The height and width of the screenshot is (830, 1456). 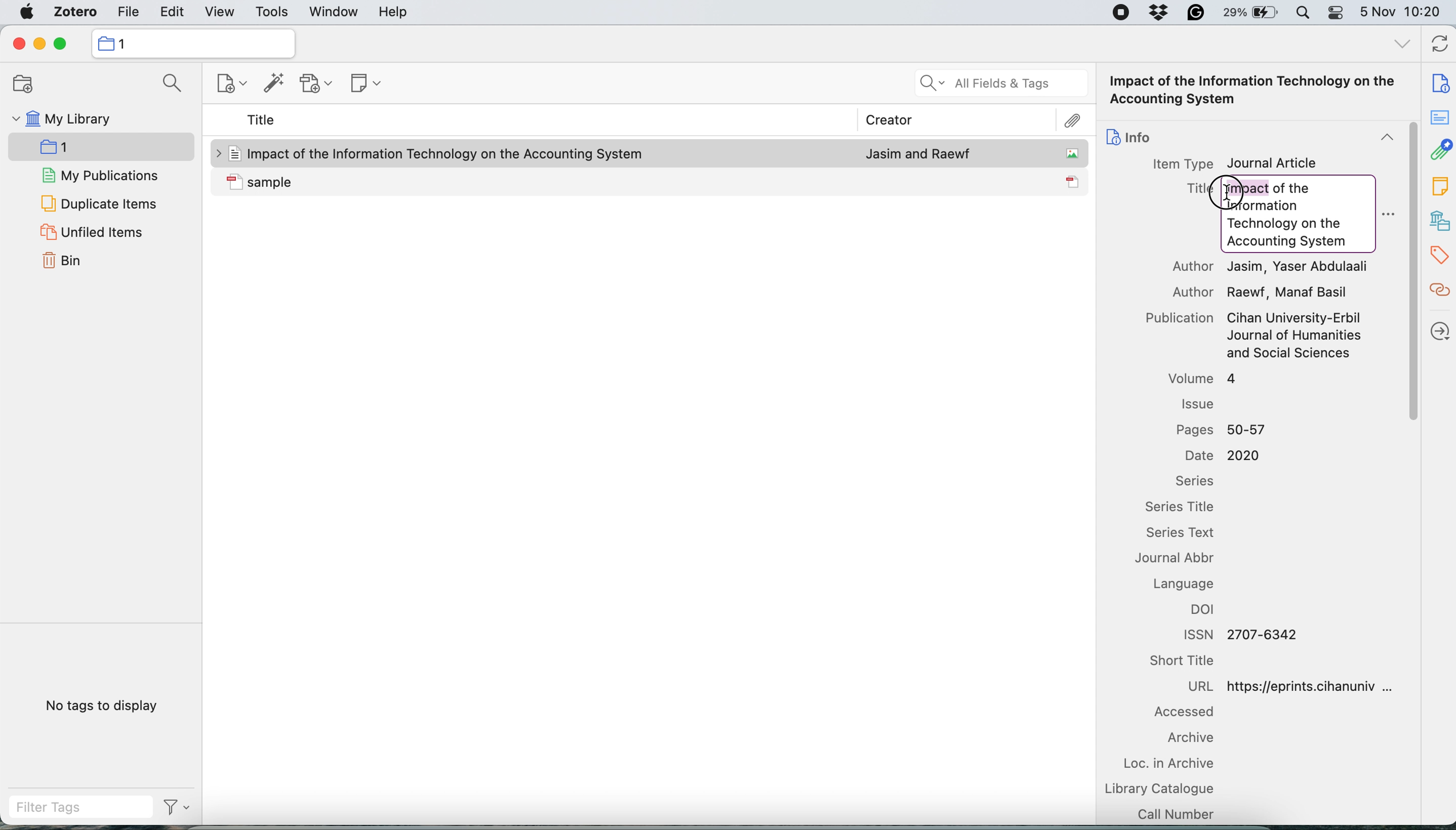 I want to click on of the, so click(x=1295, y=187).